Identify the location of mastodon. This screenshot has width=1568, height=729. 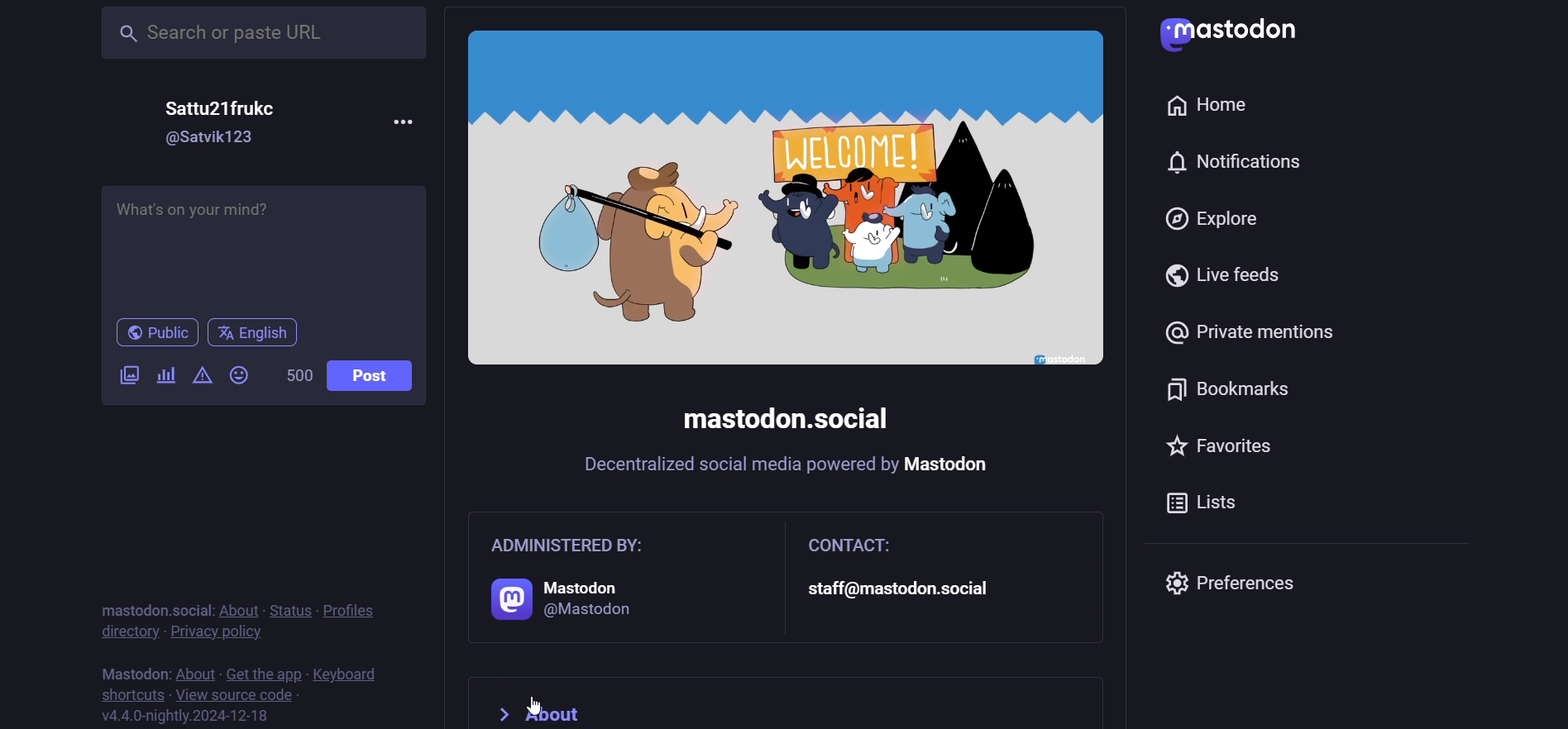
(131, 670).